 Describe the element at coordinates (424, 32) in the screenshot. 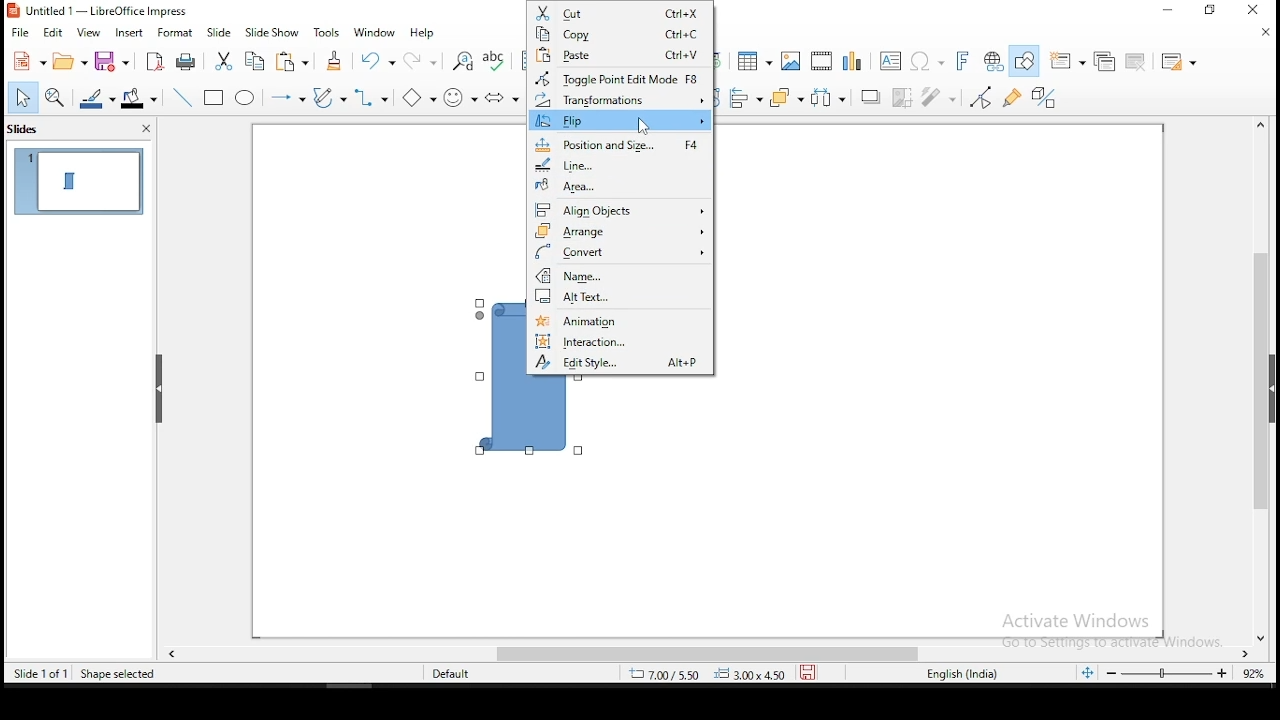

I see `help` at that location.